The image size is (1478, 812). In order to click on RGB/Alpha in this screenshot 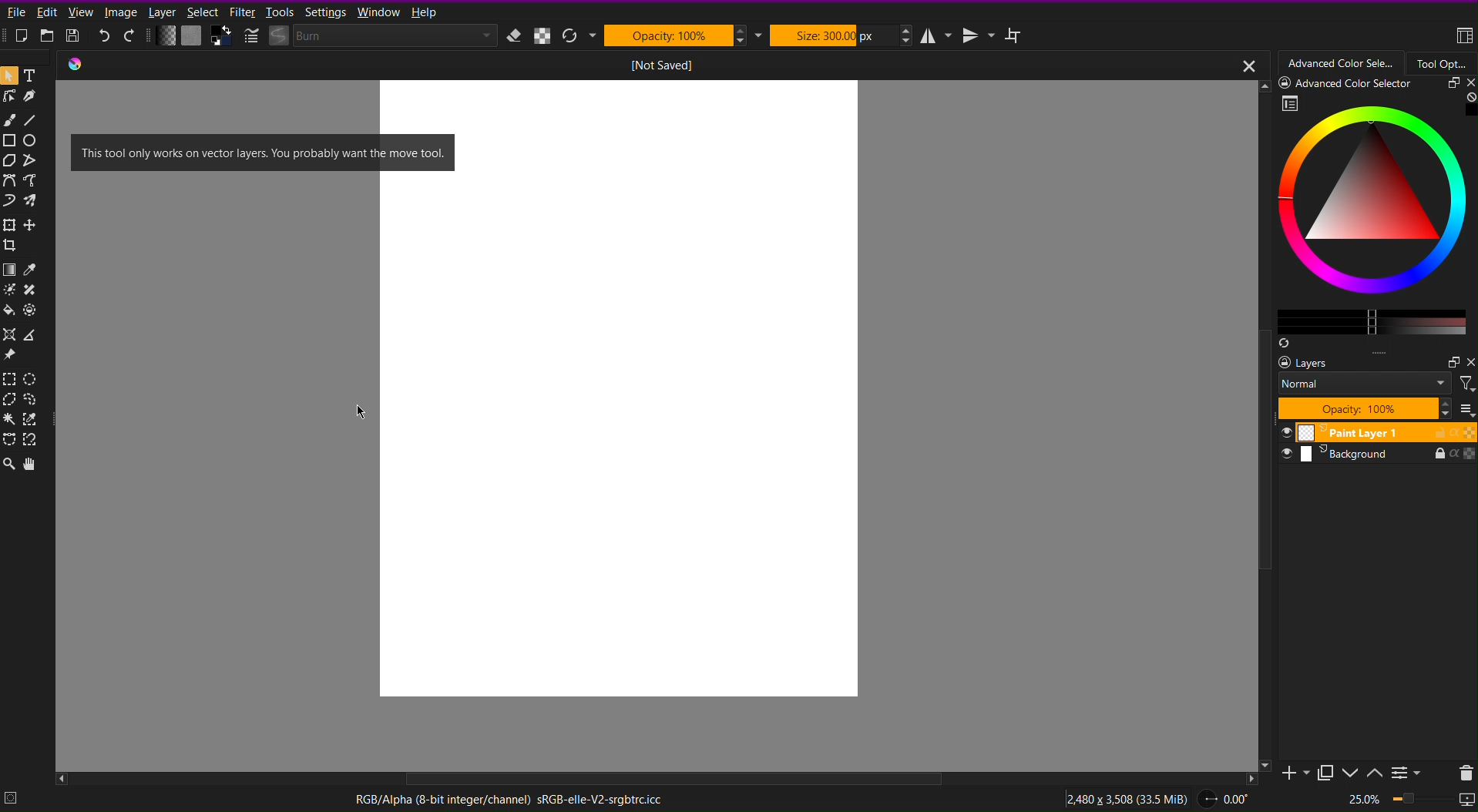, I will do `click(504, 797)`.